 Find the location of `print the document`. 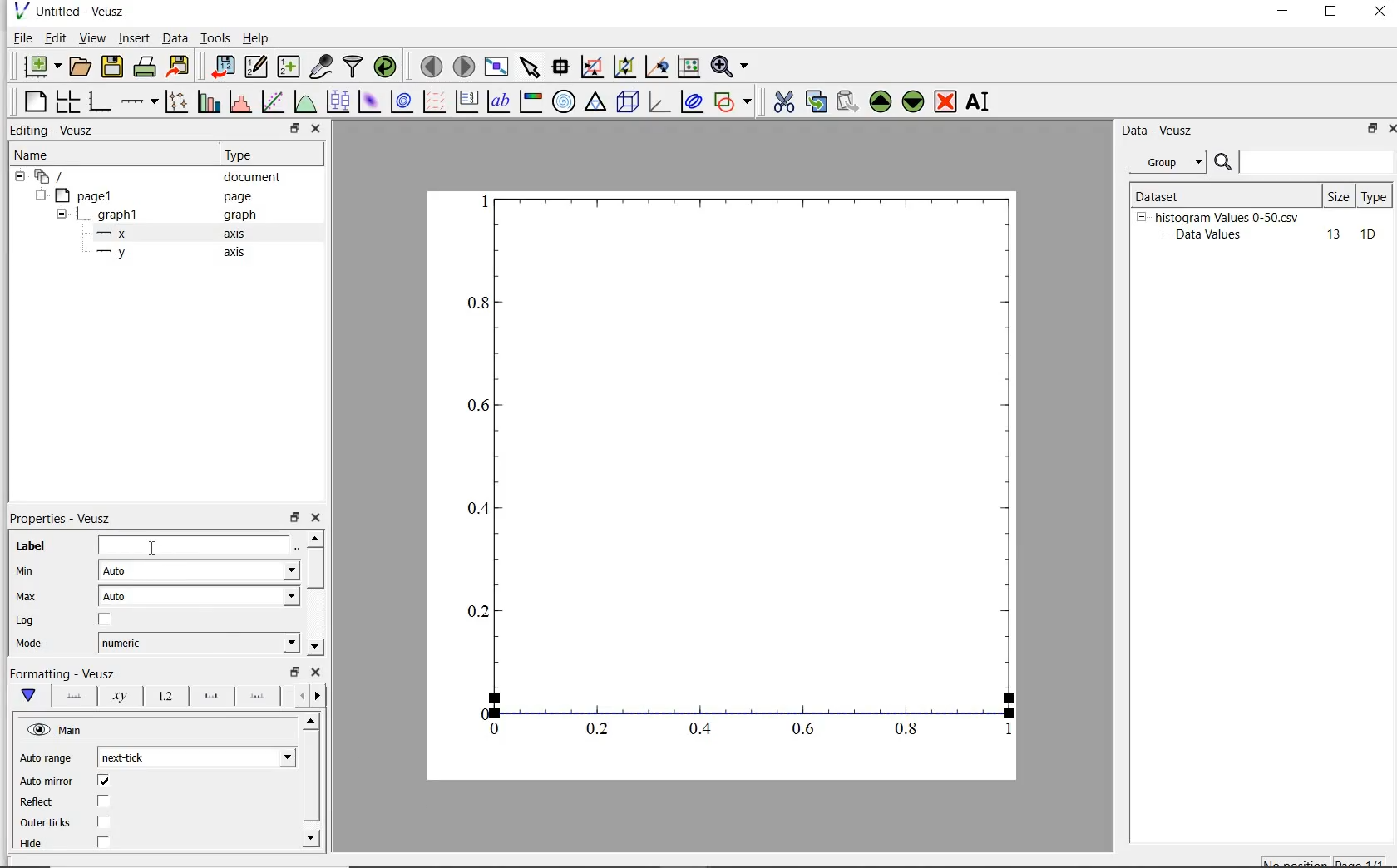

print the document is located at coordinates (146, 65).